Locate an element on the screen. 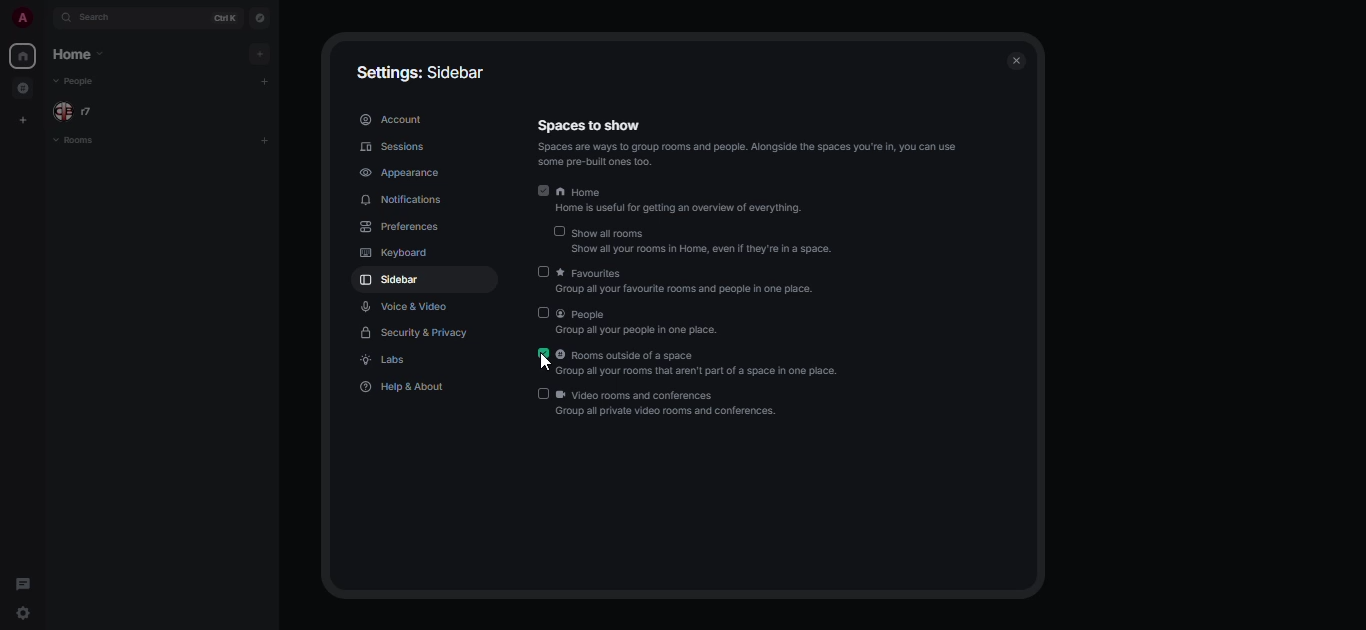  appearance is located at coordinates (400, 172).